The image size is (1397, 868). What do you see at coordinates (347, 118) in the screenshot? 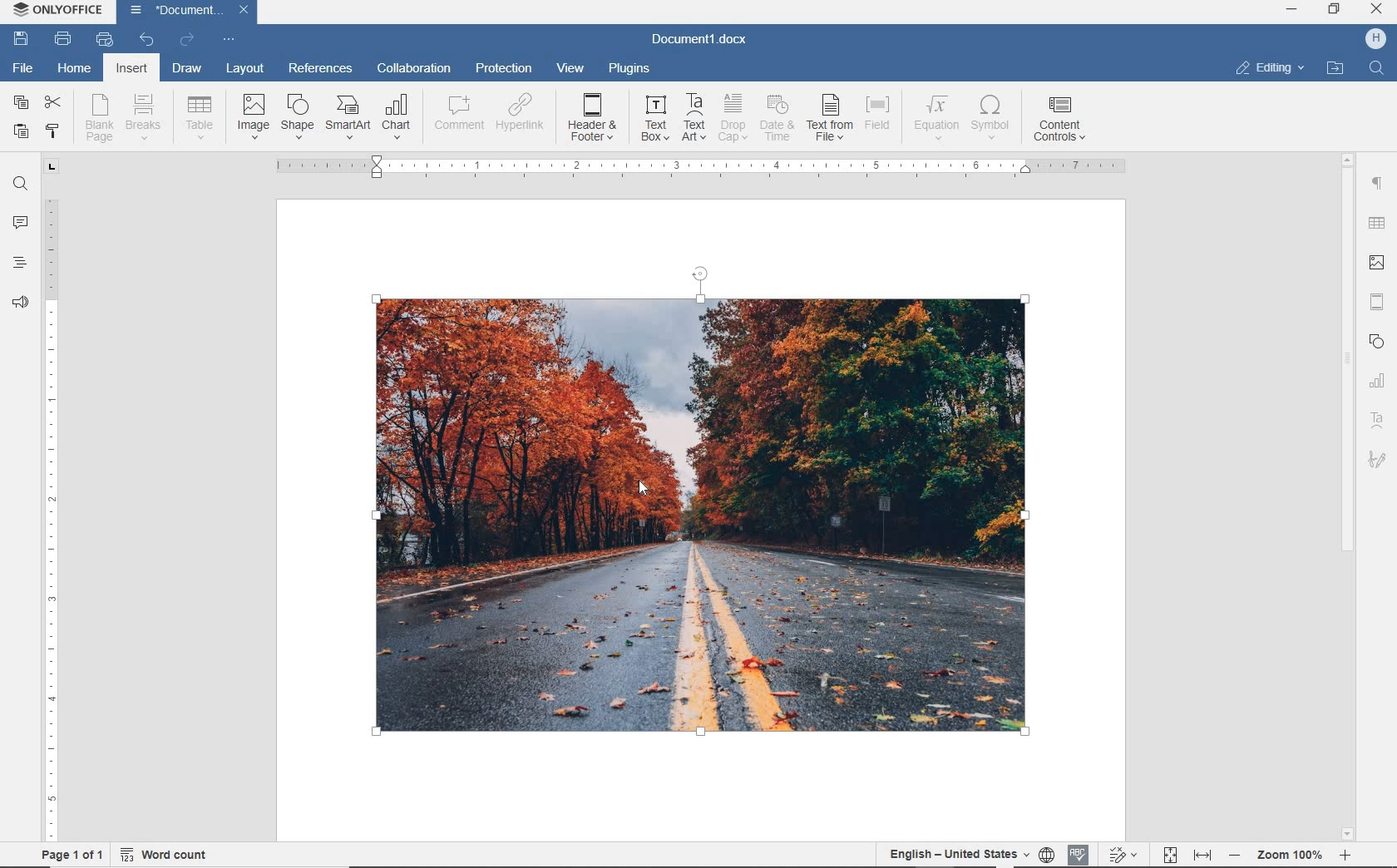
I see `SmartArt` at bounding box center [347, 118].